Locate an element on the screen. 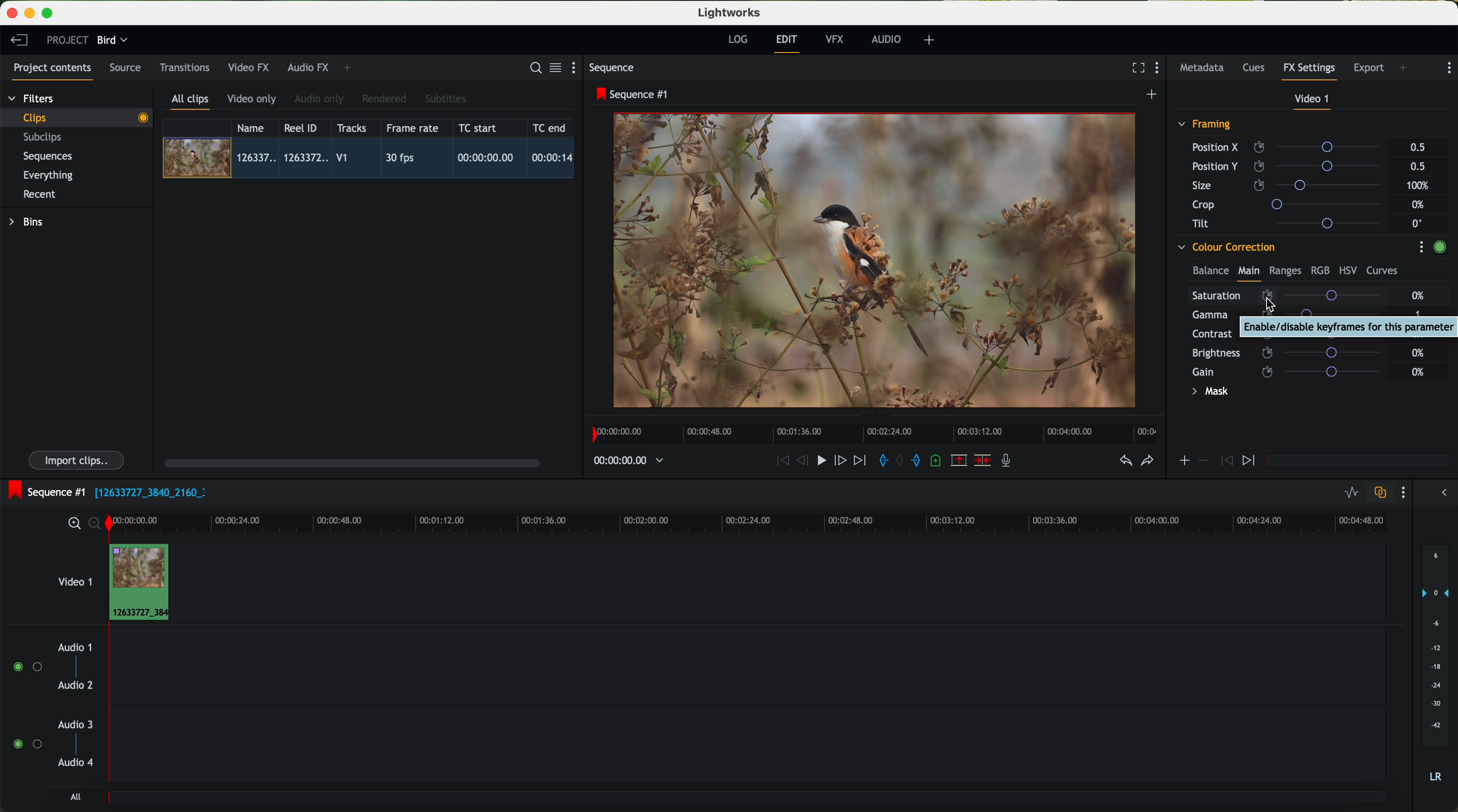 The height and width of the screenshot is (812, 1458). audio output level (d/B) is located at coordinates (1436, 667).